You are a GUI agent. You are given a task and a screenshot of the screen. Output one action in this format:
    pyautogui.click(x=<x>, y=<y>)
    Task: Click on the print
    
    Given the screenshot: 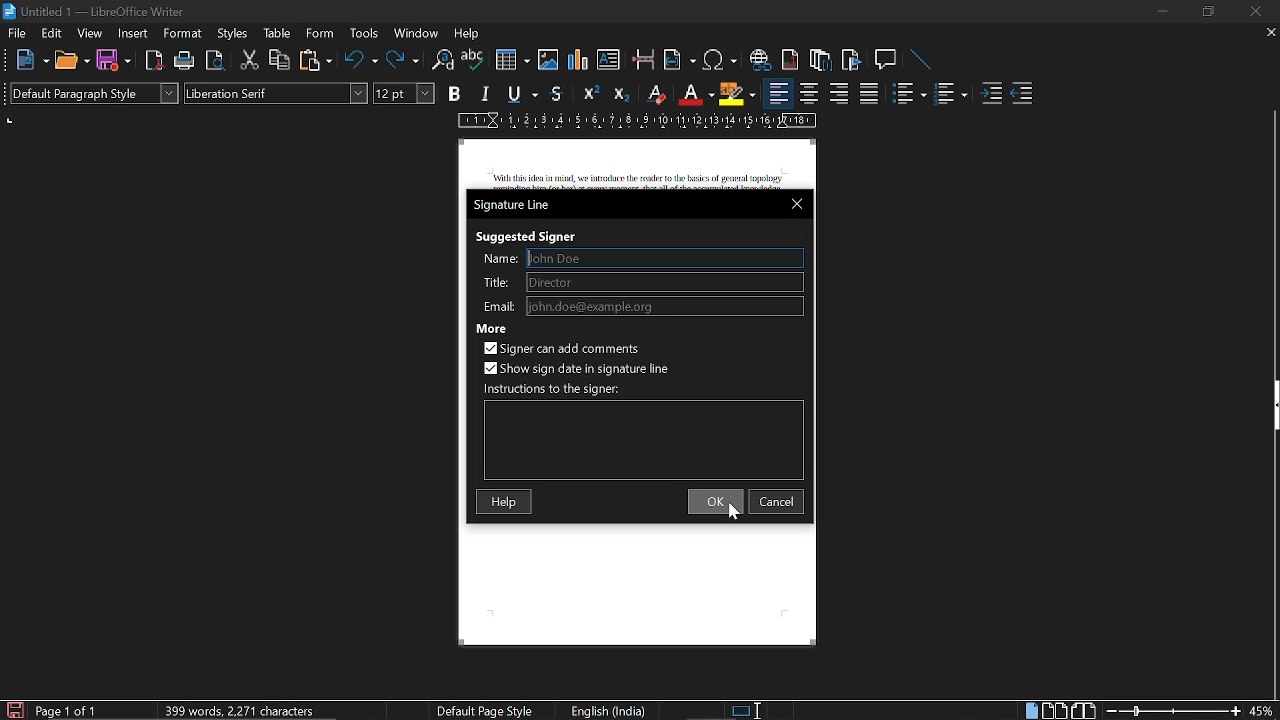 What is the action you would take?
    pyautogui.click(x=185, y=60)
    